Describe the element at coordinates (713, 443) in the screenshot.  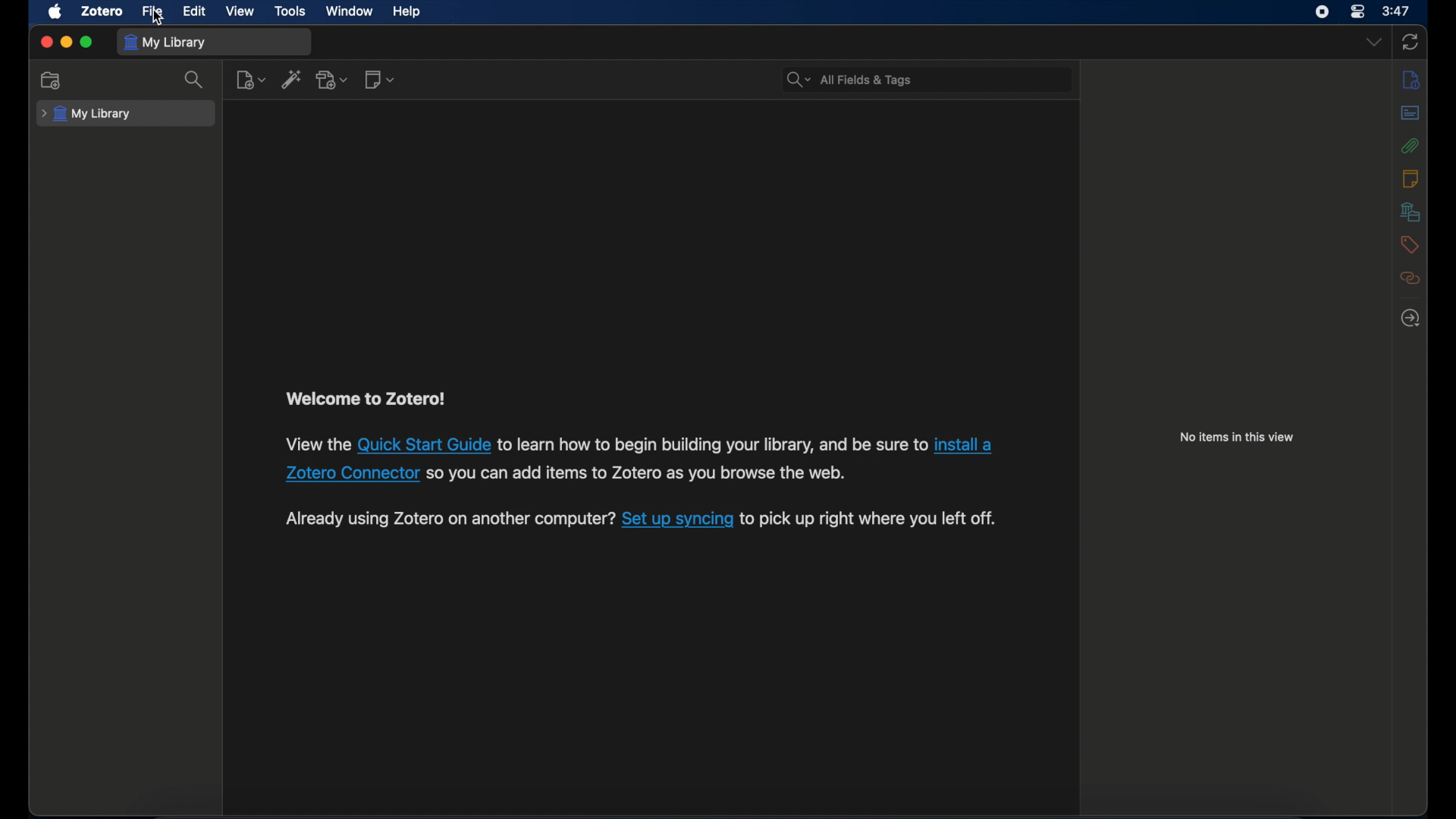
I see `text` at that location.